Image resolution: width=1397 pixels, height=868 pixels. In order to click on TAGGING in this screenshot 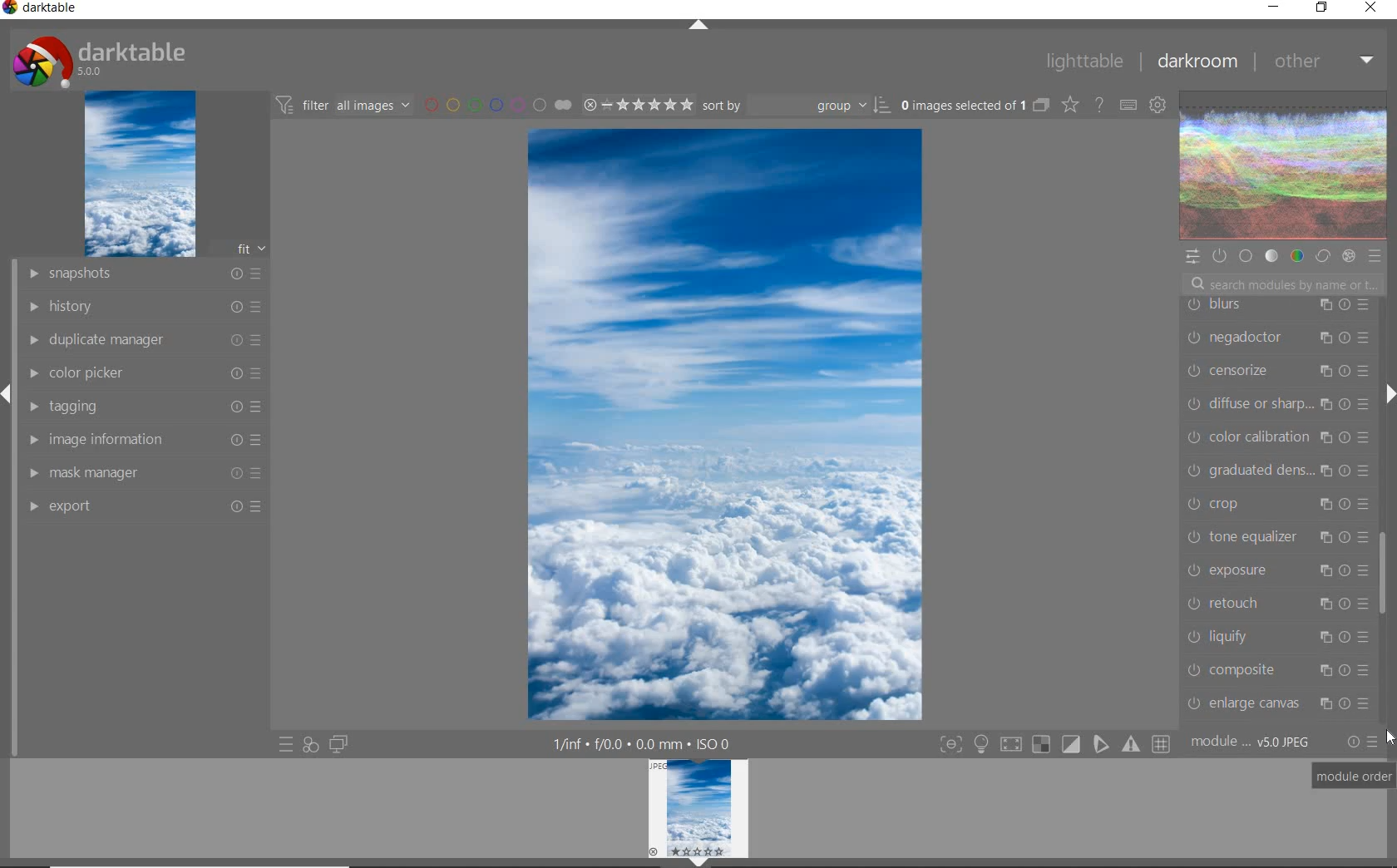, I will do `click(148, 406)`.